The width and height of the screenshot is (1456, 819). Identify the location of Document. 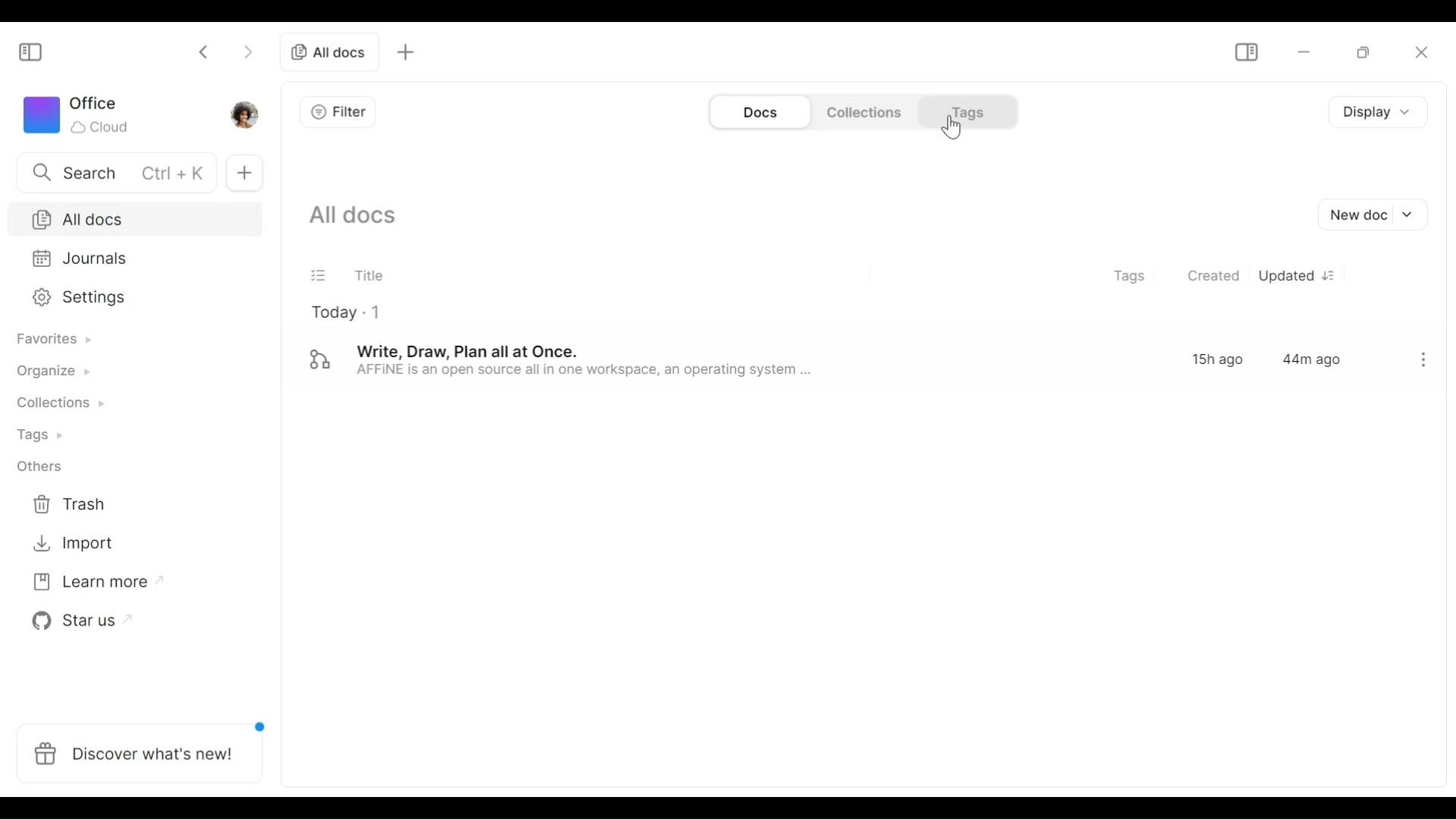
(758, 112).